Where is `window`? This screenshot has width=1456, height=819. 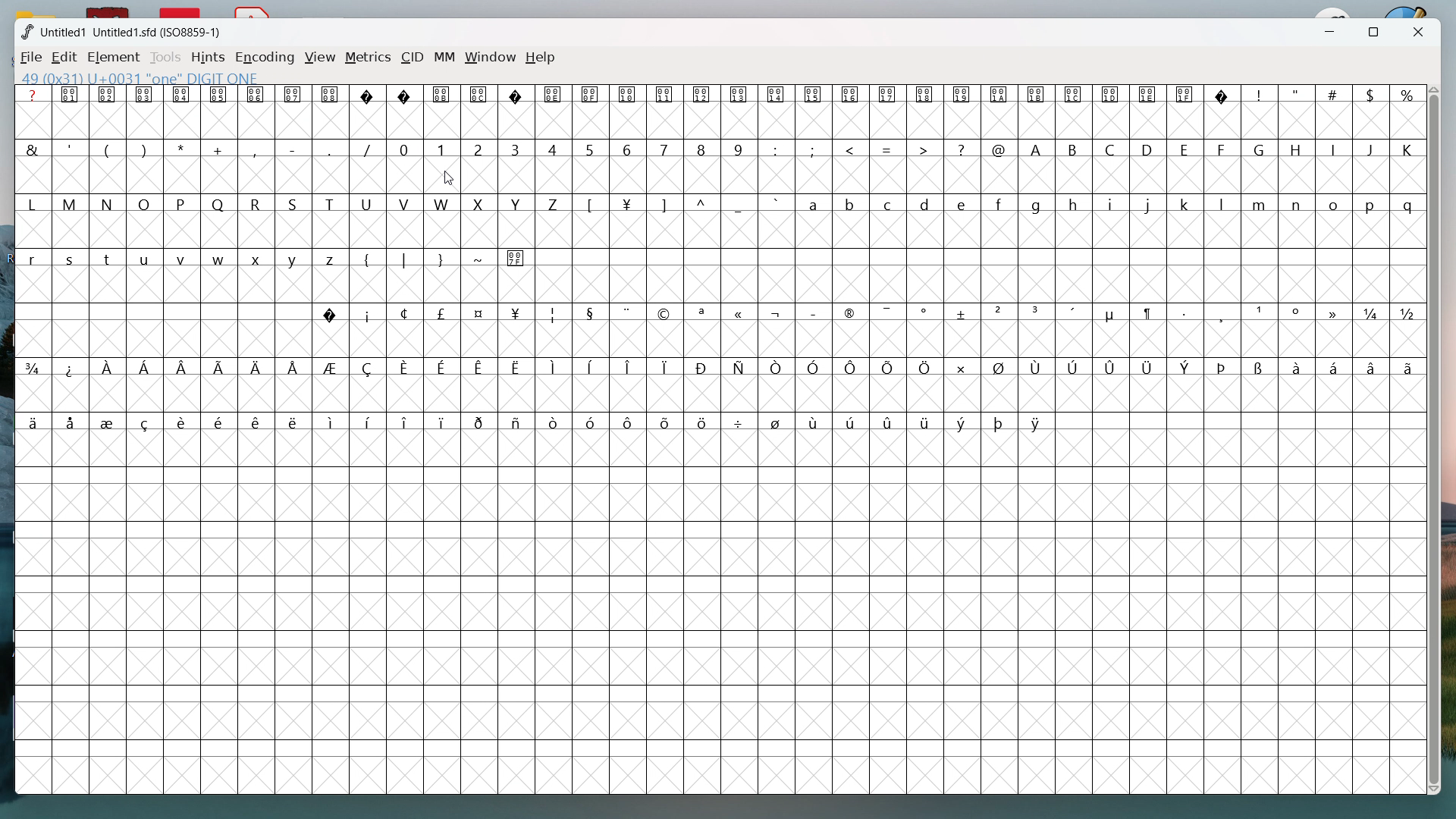
window is located at coordinates (491, 58).